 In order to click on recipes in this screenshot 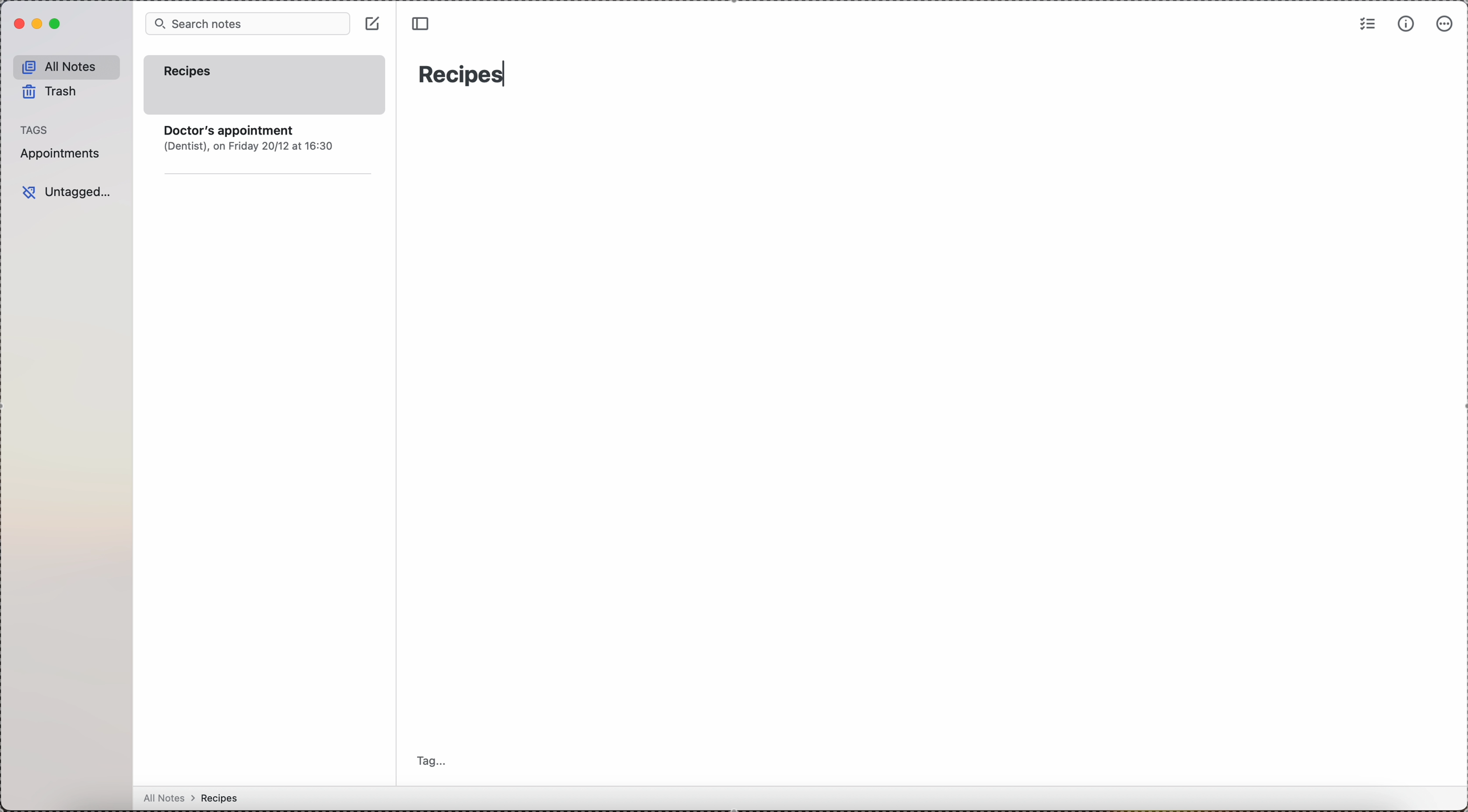, I will do `click(465, 75)`.